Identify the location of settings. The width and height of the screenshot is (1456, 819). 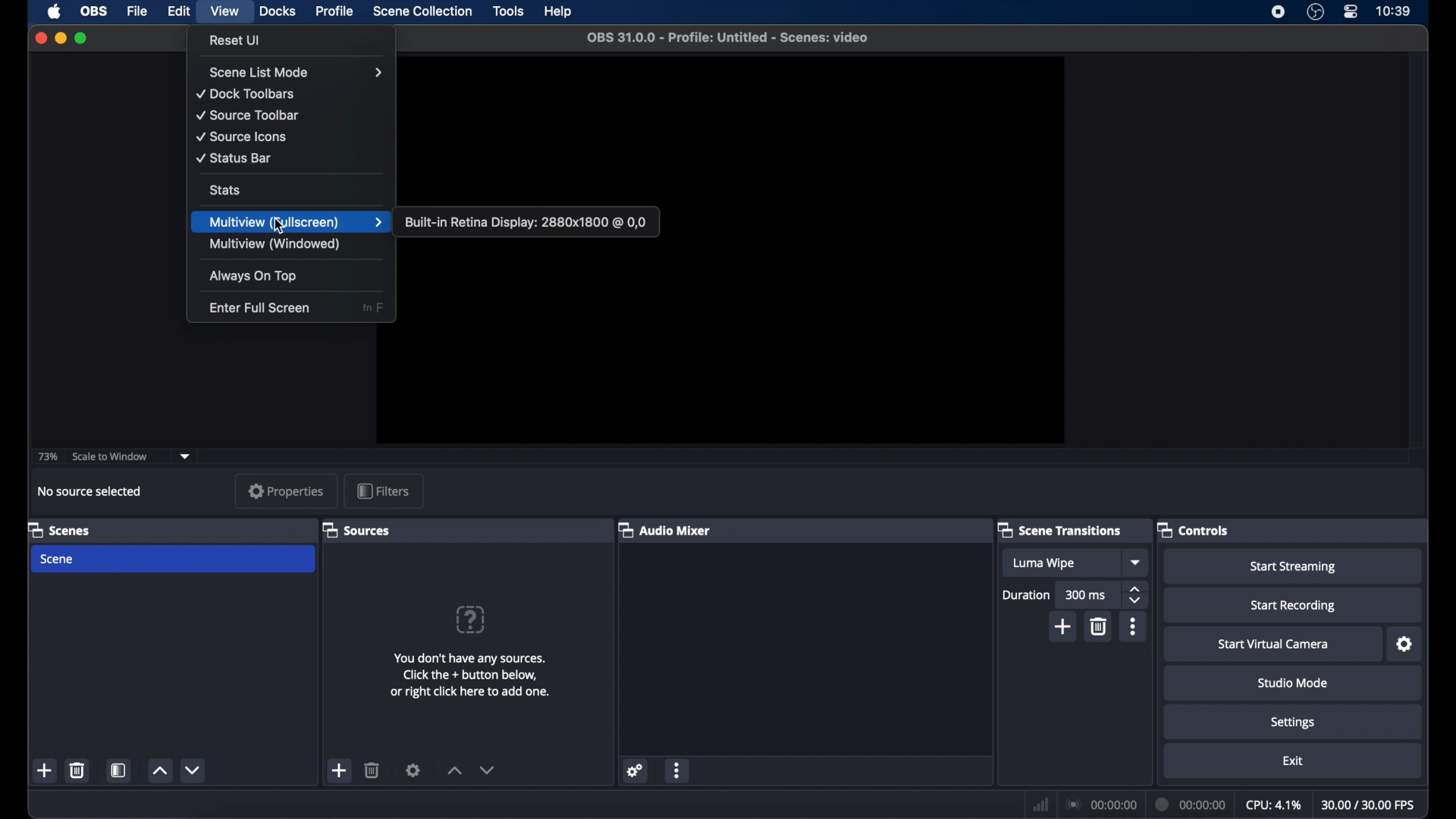
(413, 770).